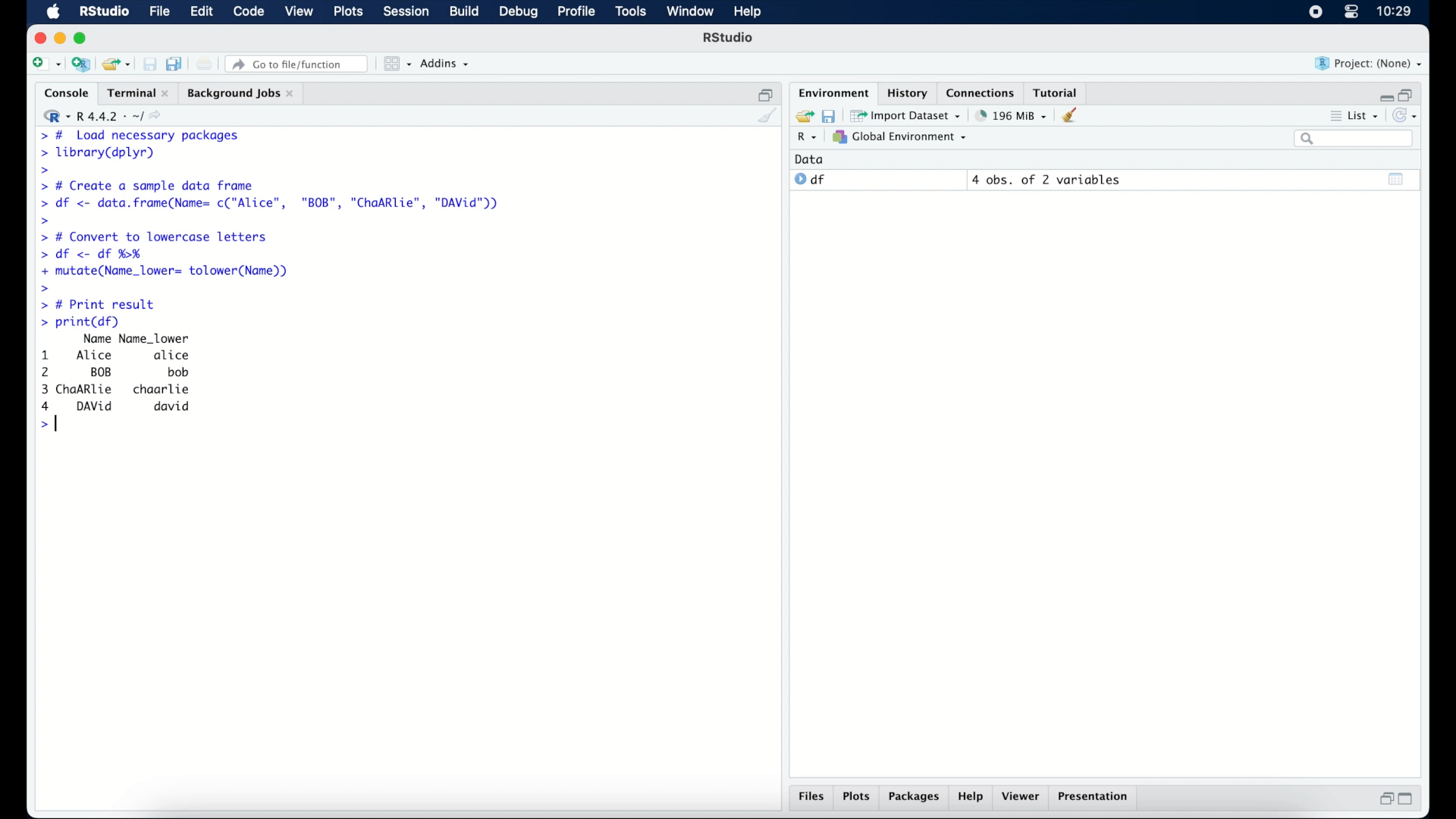  What do you see at coordinates (900, 137) in the screenshot?
I see `global environment` at bounding box center [900, 137].